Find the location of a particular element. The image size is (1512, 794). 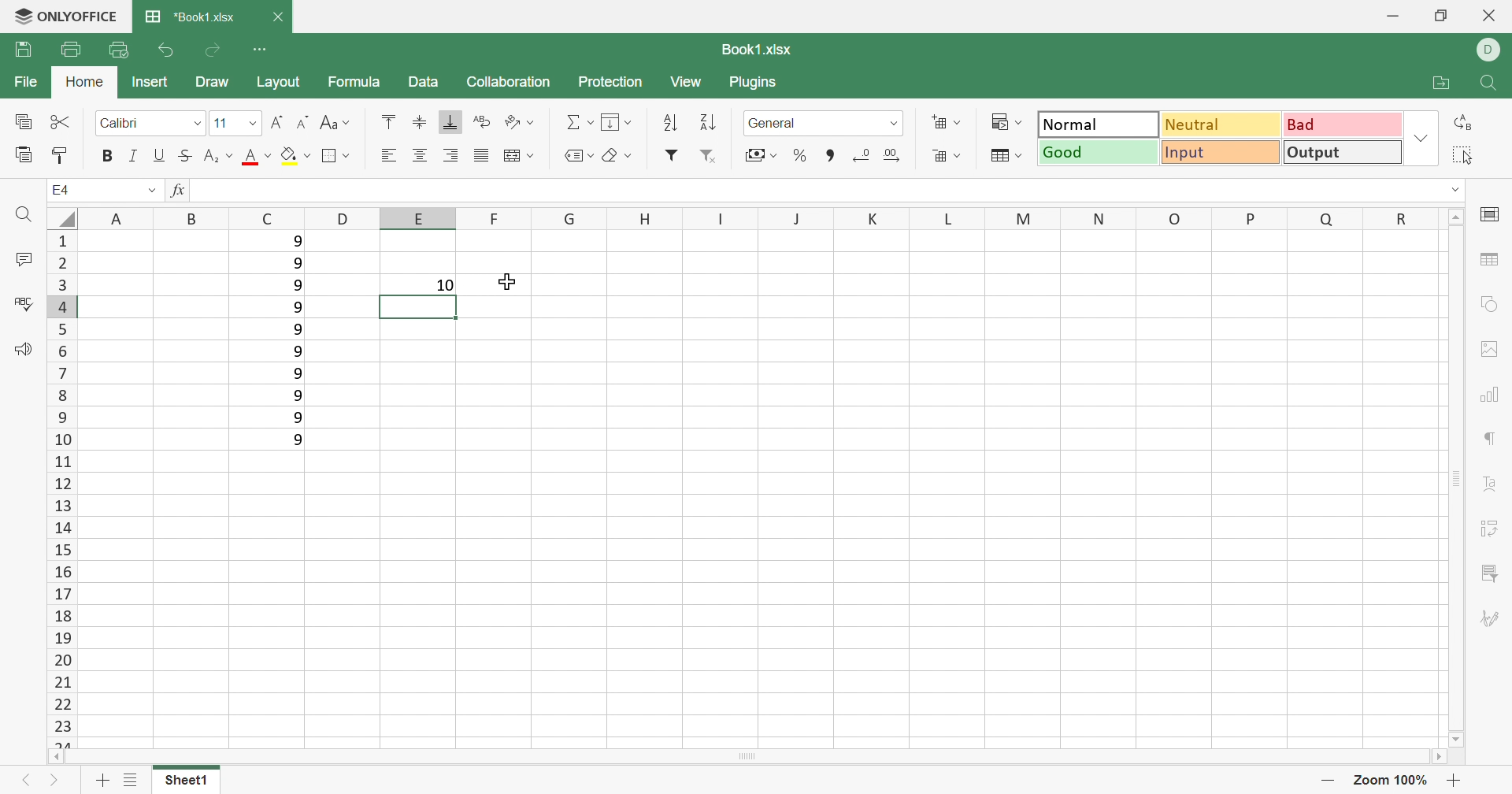

9 is located at coordinates (297, 262).